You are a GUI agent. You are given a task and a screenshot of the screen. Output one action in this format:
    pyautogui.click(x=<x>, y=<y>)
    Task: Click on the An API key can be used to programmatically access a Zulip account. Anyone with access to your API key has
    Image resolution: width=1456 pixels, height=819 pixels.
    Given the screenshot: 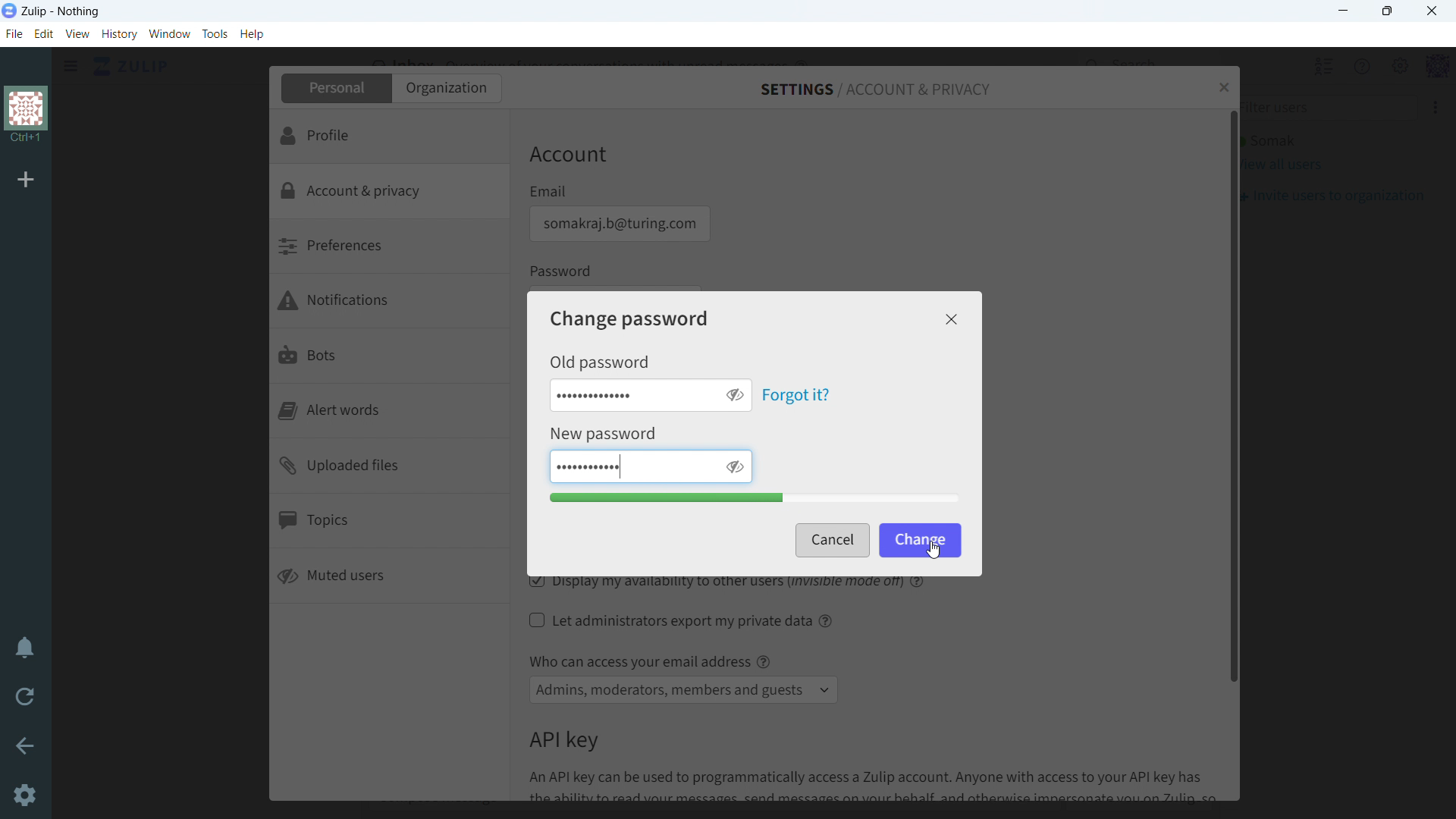 What is the action you would take?
    pyautogui.click(x=880, y=785)
    